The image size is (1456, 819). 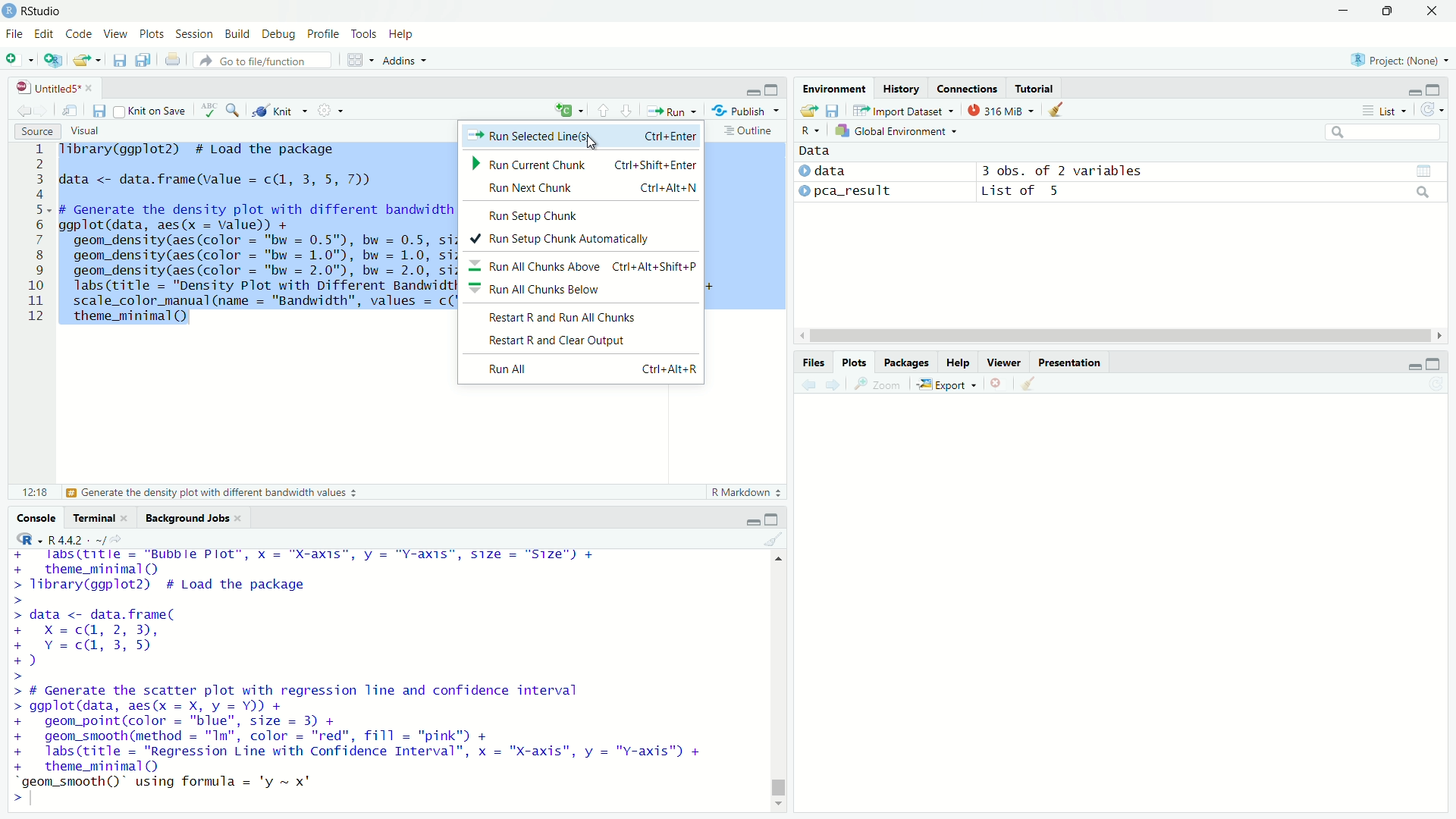 I want to click on Viewer, so click(x=1004, y=362).